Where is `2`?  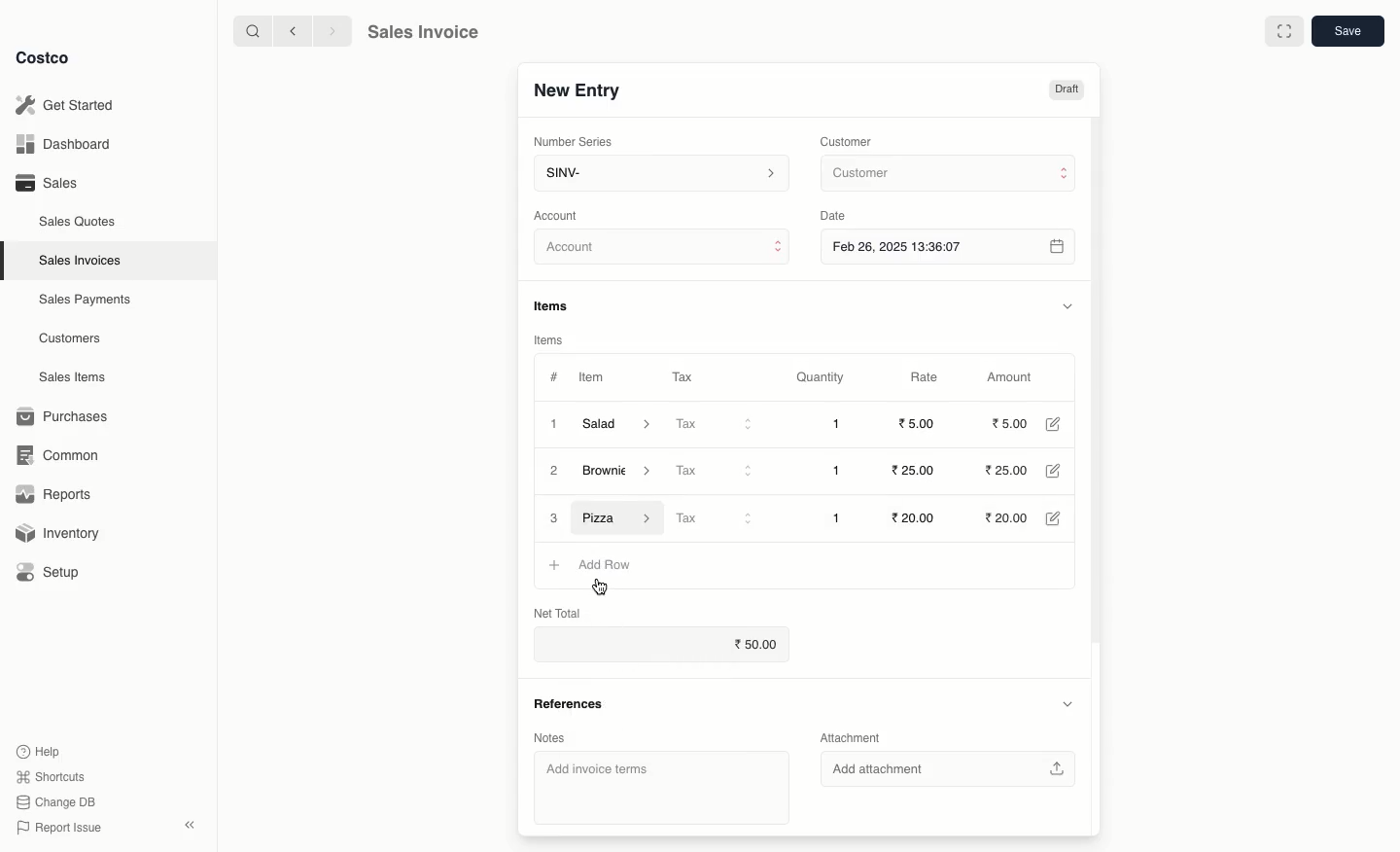 2 is located at coordinates (555, 472).